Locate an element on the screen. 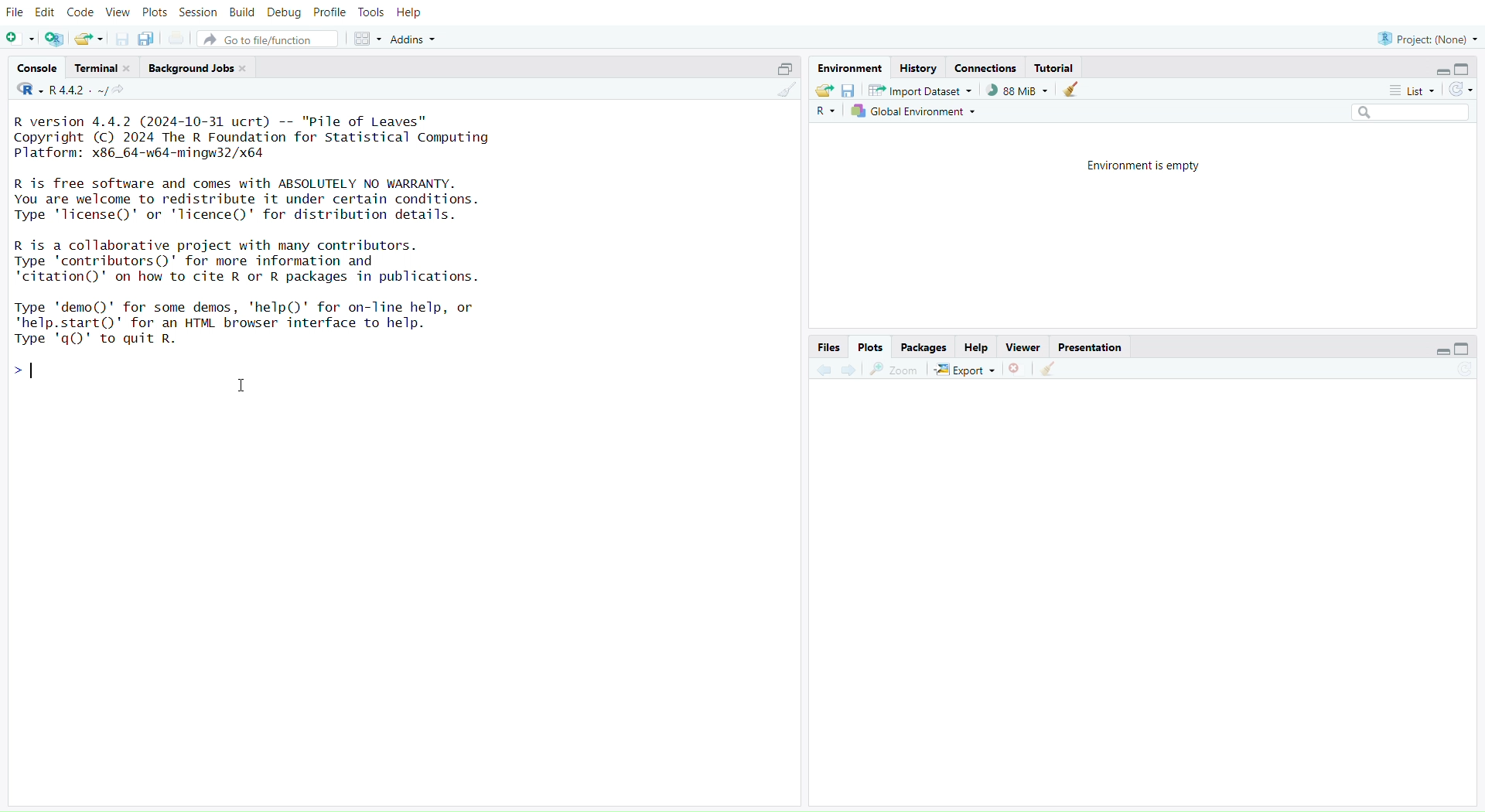  88mib is located at coordinates (1018, 91).